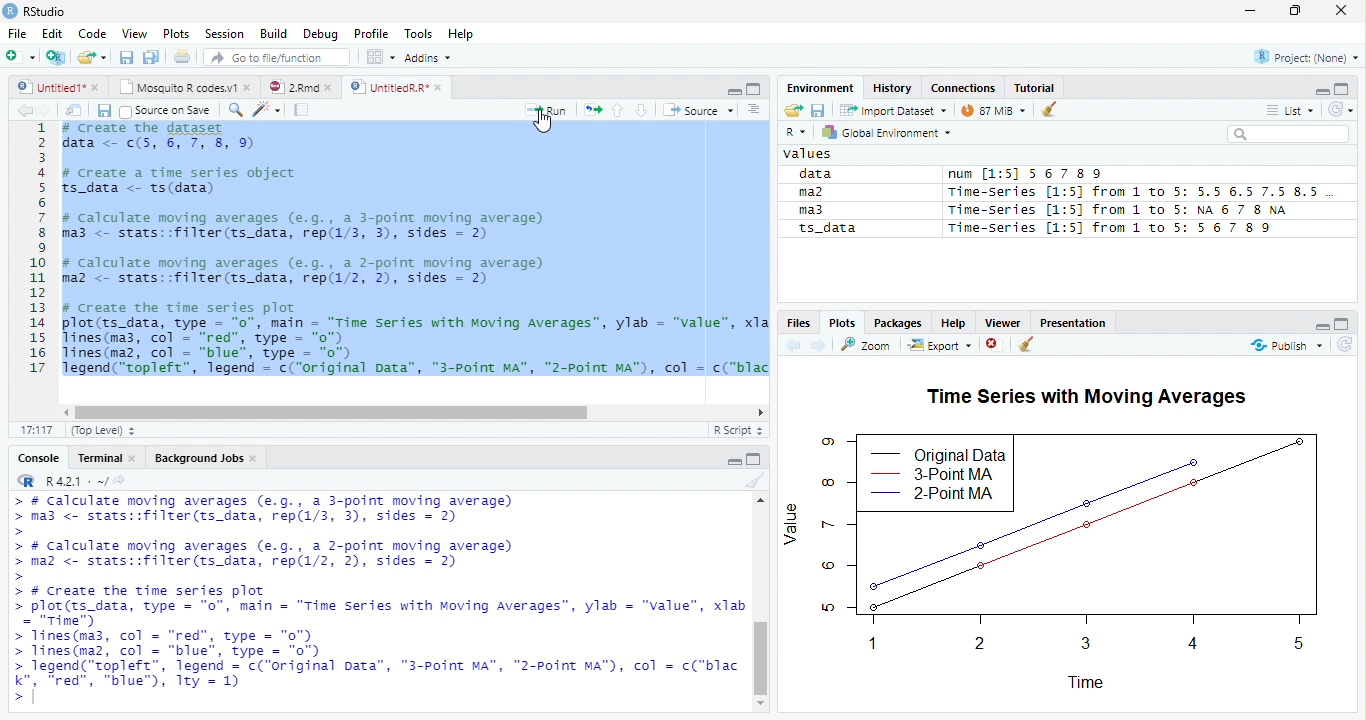 This screenshot has width=1366, height=720. What do you see at coordinates (380, 604) in the screenshot?
I see `> # Calculate moving averages (e.g., a 3-point moving average)

> ma3 <- stats::filter(ts_data, rep(1/3, 3), sides = 2)

>

> # calculate moving averages (e.g., a 2-point moving average)

> maz <- stats::filter(ts_data, rep(1/2, 2), sides = 2)

>

> # Create the time series plot

> plot(ts_data, type = "0", main = "Time Series with Moving Averages”, ylab = “value”, xlab
= "Time")

> lines(ma3, col = "red", type = "0")

> lines(maz, col = "blue", type = "o")

> Tegend("topleft”, legend = ("original pata”, "3-point MA", "2-point MA"), col = c("blac
k", red”, “blue”, Tty = 1)

>|` at bounding box center [380, 604].